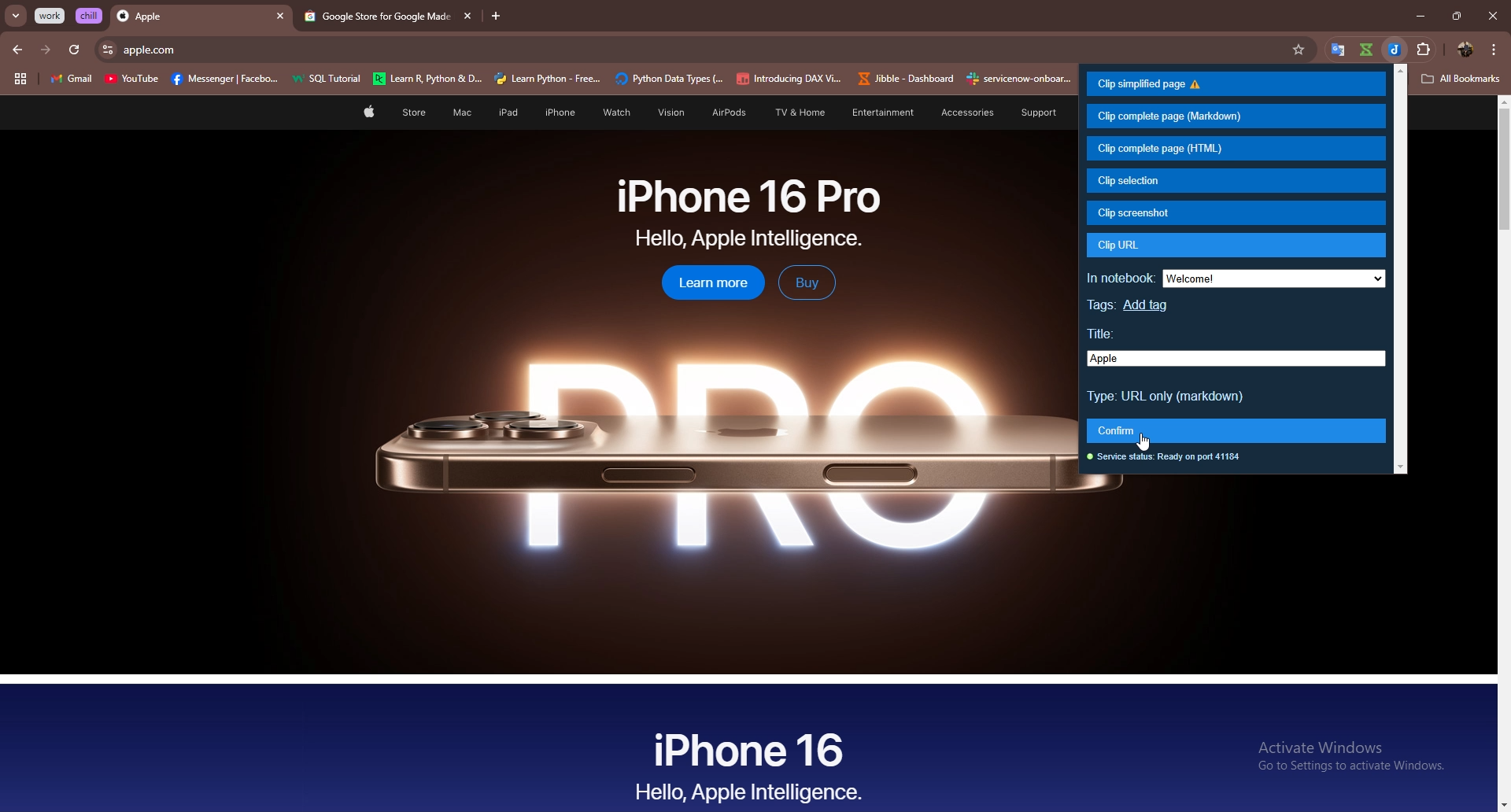  What do you see at coordinates (1339, 50) in the screenshot?
I see `Google translate` at bounding box center [1339, 50].